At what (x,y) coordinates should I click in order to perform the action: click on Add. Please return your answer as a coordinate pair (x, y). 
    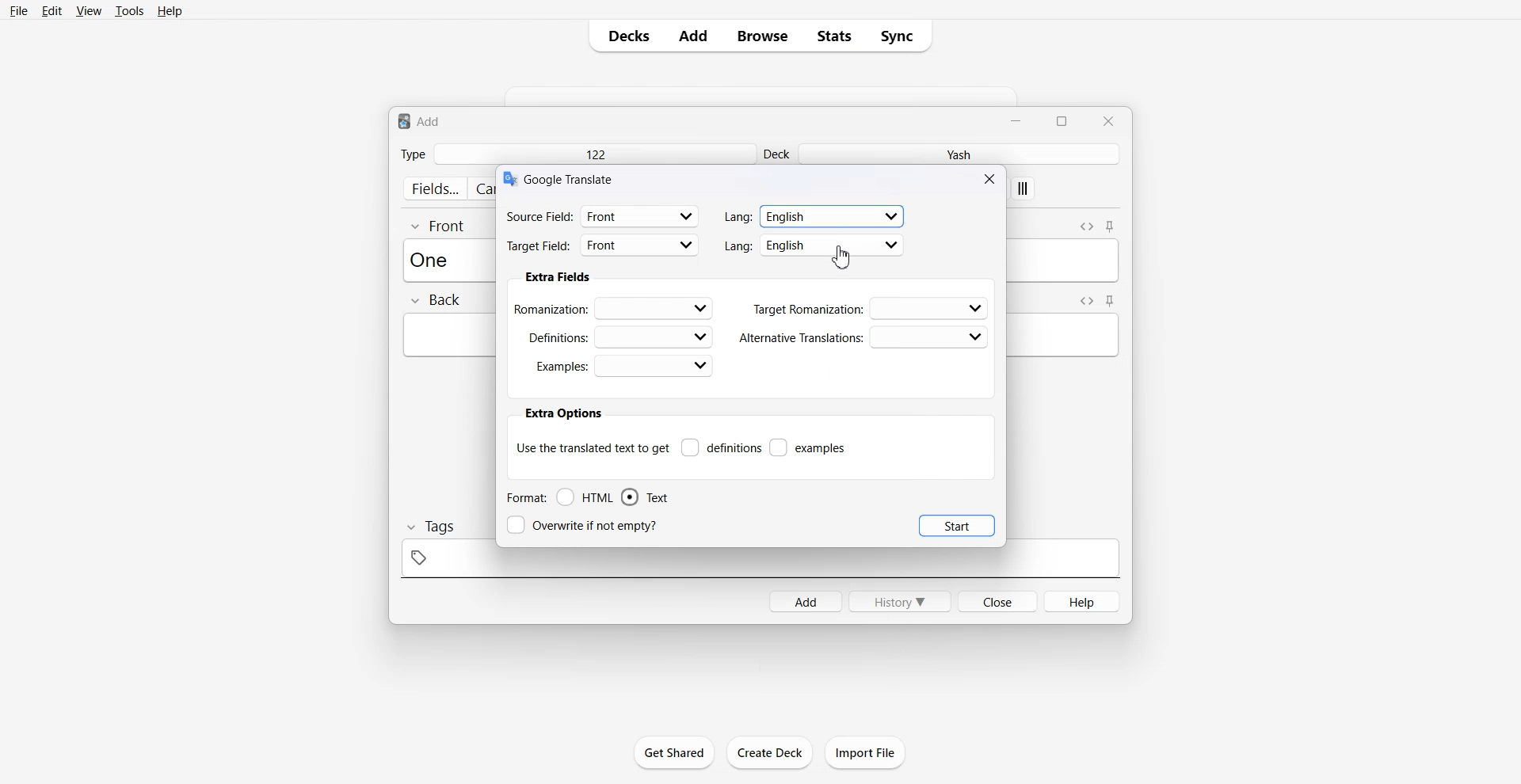
    Looking at the image, I should click on (693, 36).